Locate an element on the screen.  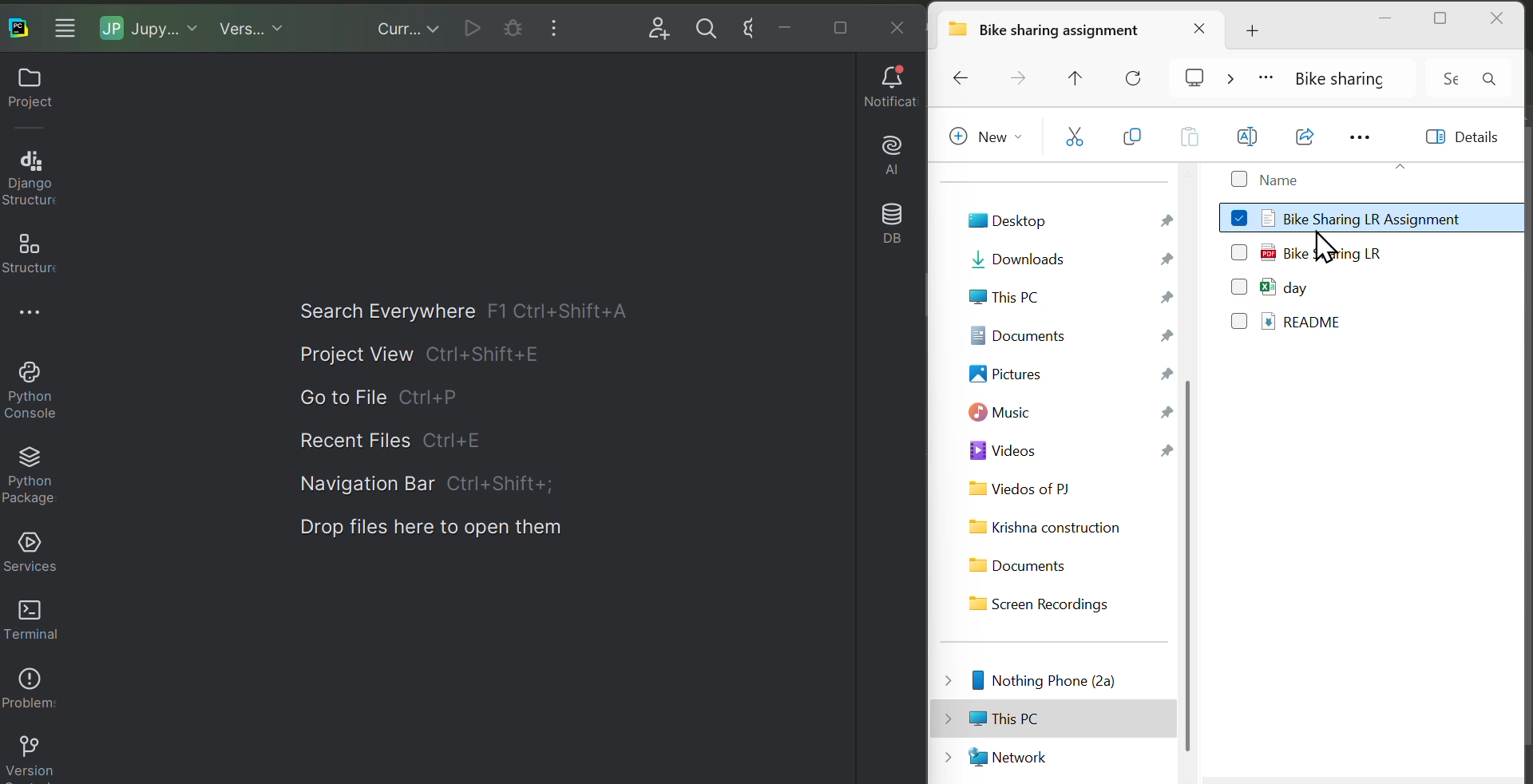
Python packages is located at coordinates (28, 477).